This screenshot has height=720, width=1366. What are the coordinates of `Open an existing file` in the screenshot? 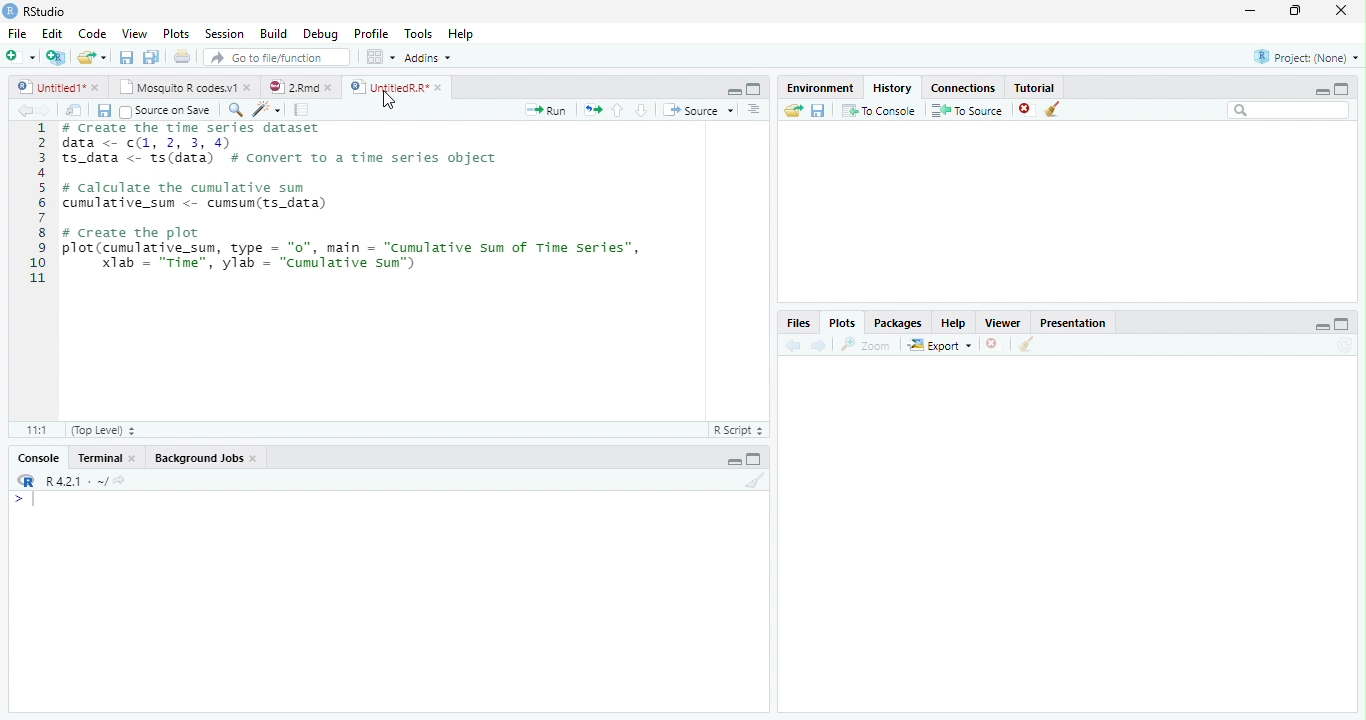 It's located at (94, 57).